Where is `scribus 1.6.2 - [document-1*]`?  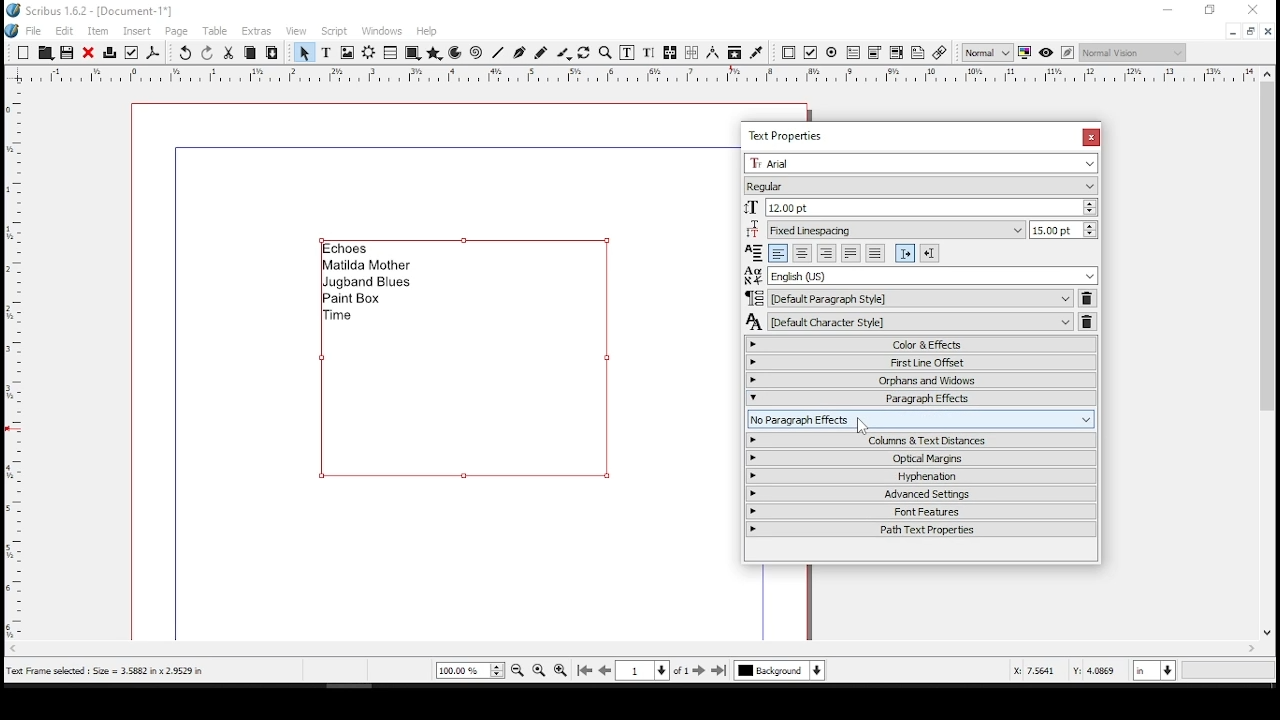
scribus 1.6.2 - [document-1*] is located at coordinates (102, 9).